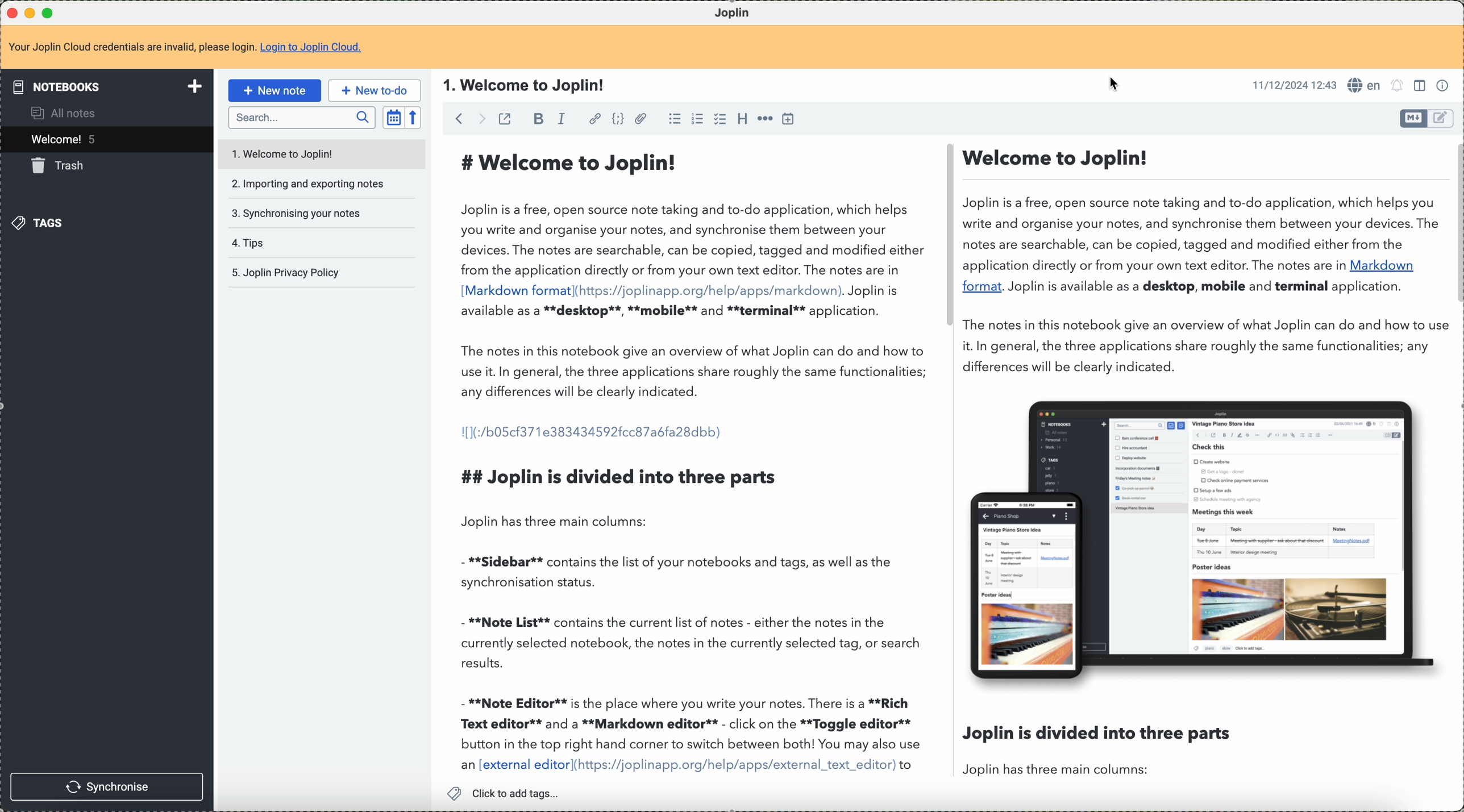 The image size is (1464, 812). What do you see at coordinates (301, 118) in the screenshot?
I see `search bar` at bounding box center [301, 118].